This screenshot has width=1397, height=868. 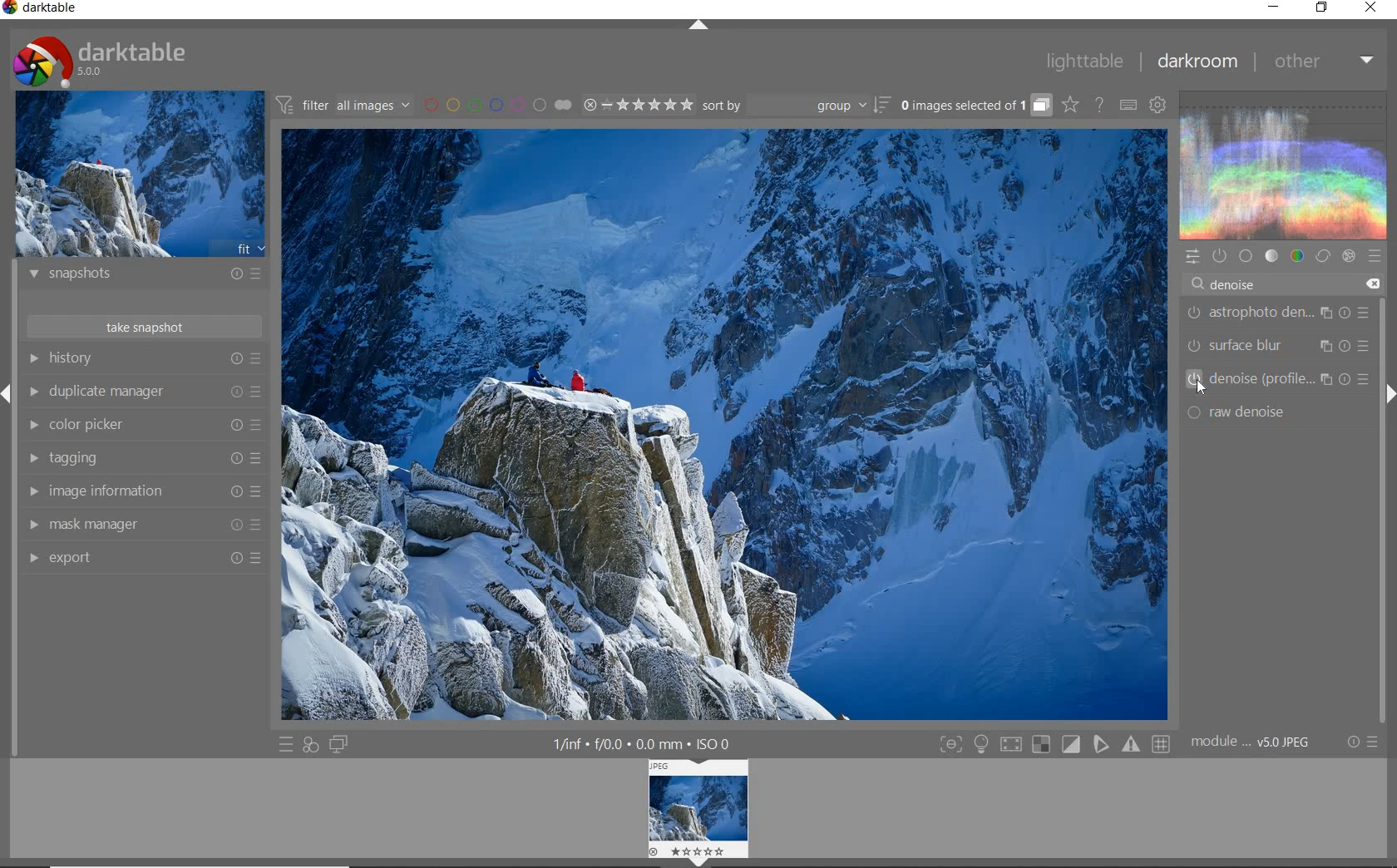 What do you see at coordinates (725, 426) in the screenshot?
I see `selected image` at bounding box center [725, 426].